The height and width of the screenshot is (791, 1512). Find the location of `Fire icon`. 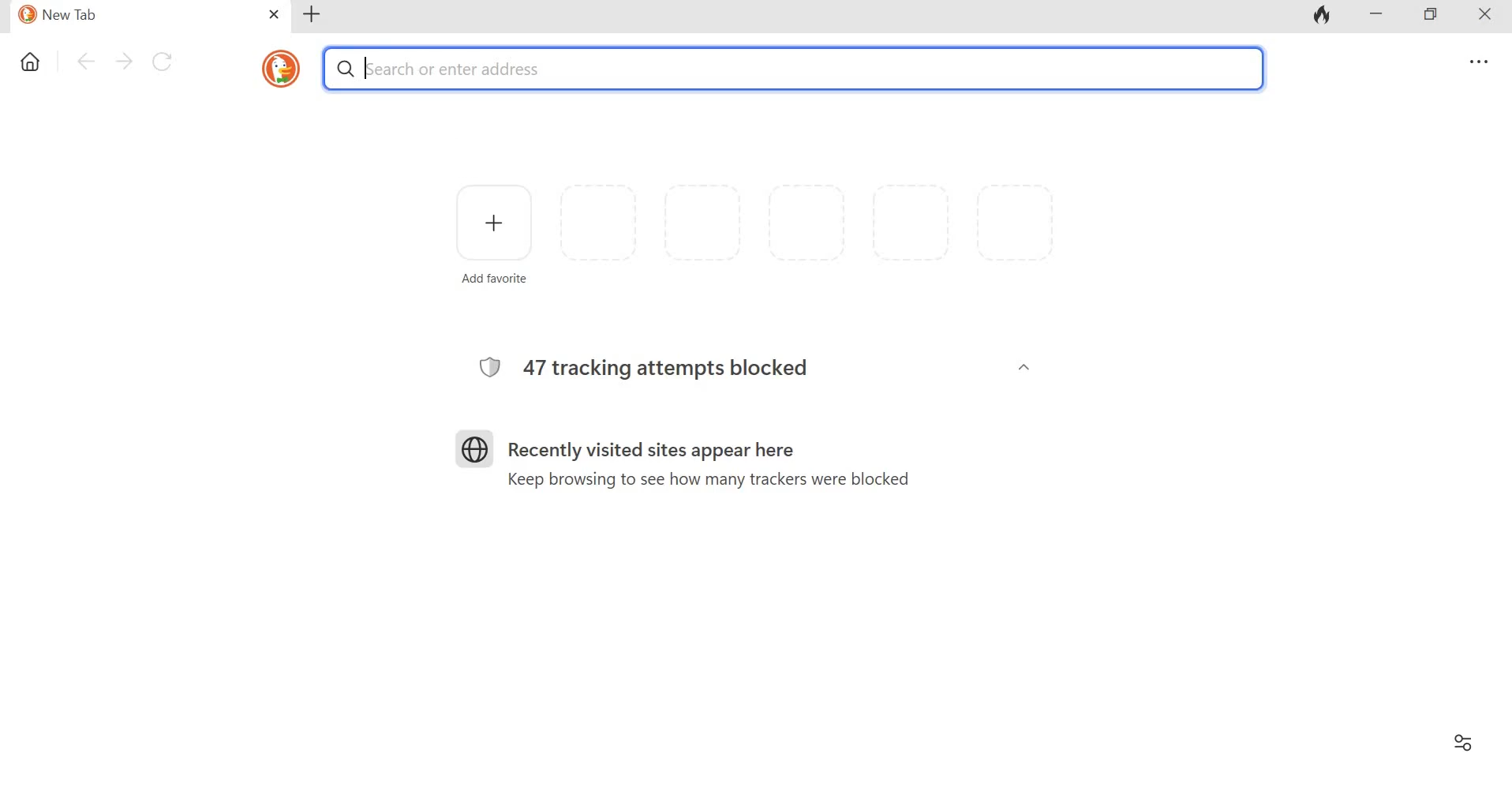

Fire icon is located at coordinates (1319, 14).